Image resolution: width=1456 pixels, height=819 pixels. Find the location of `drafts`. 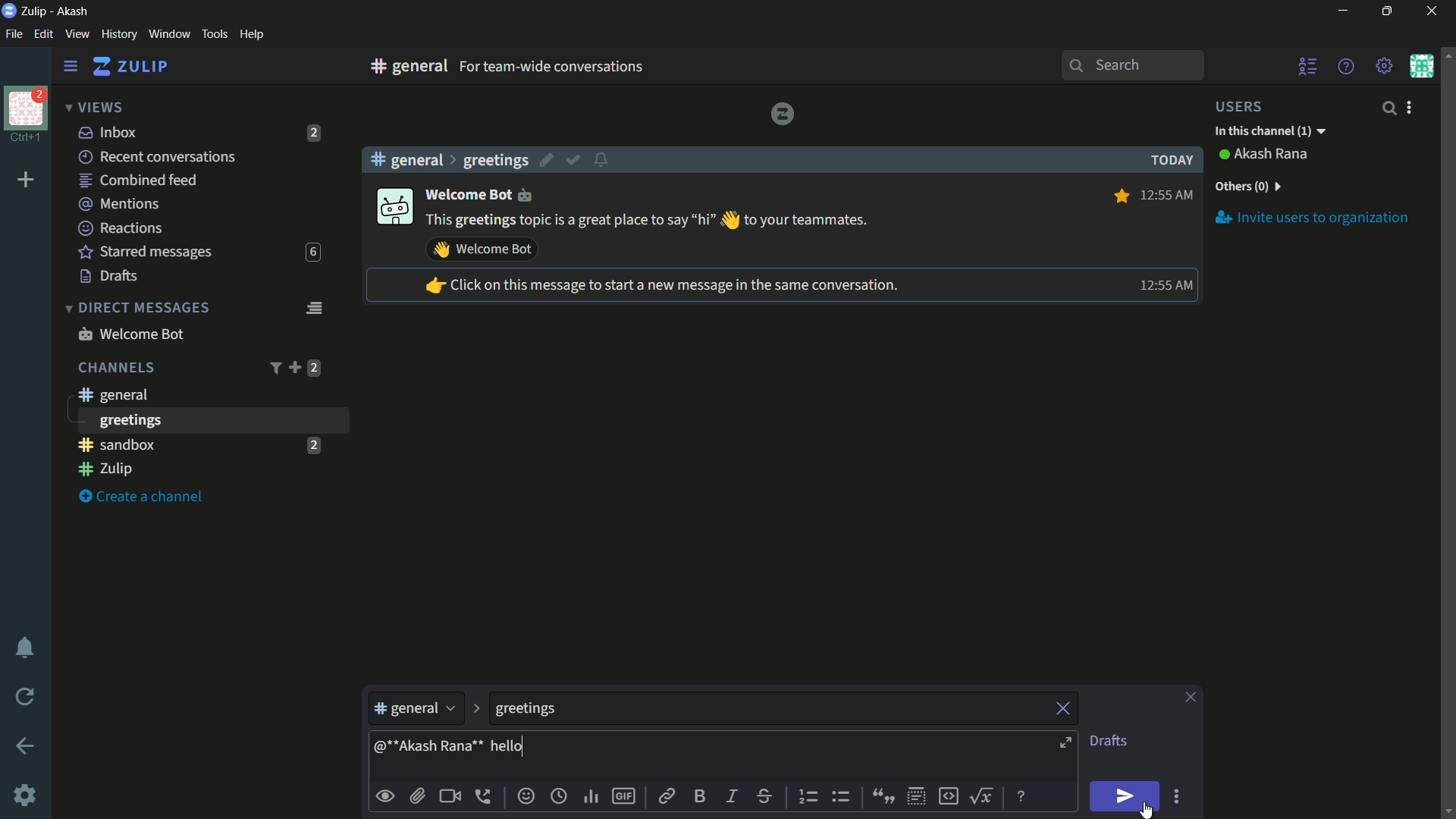

drafts is located at coordinates (109, 276).